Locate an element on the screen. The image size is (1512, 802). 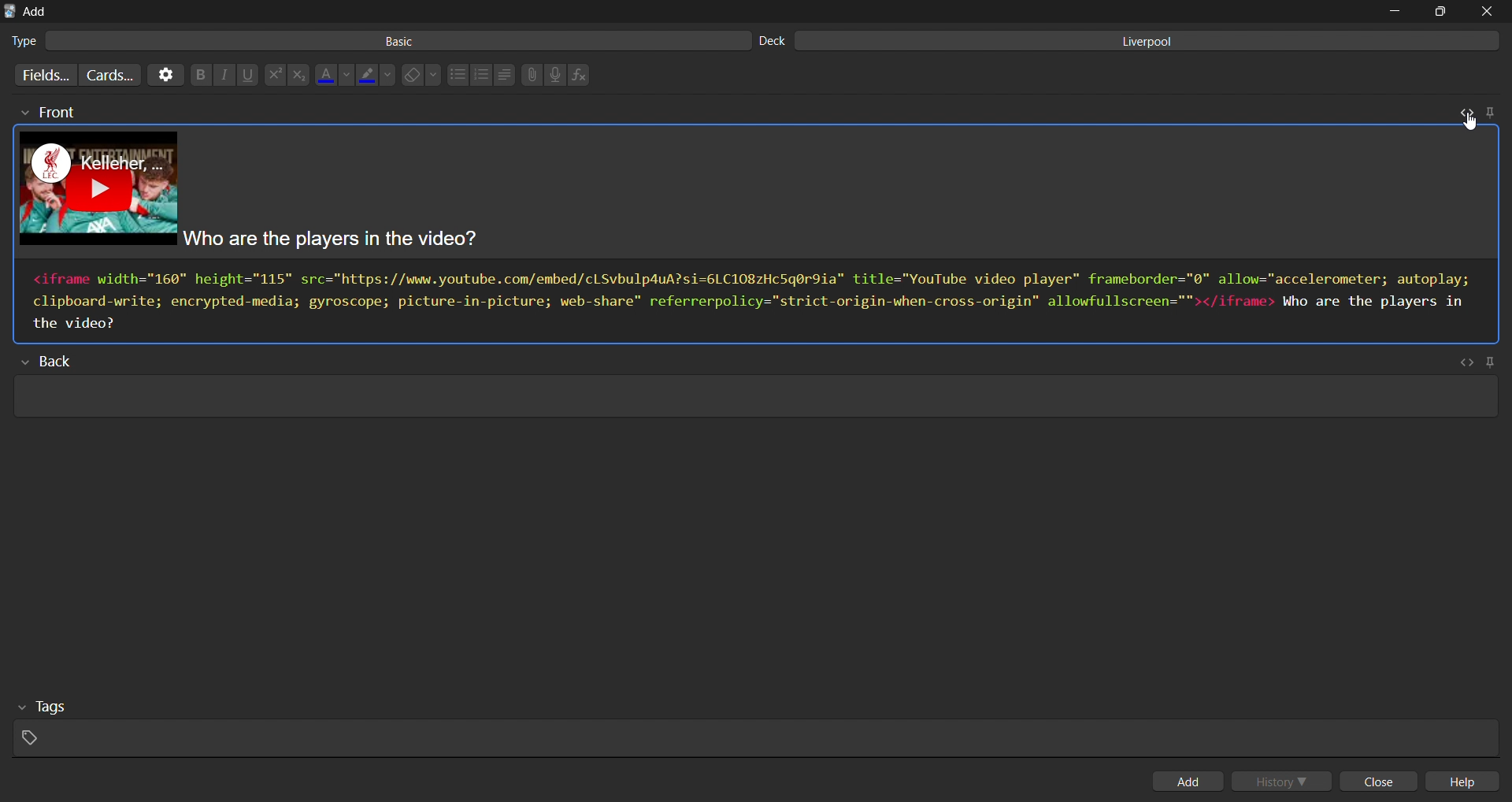
line spacing is located at coordinates (504, 75).